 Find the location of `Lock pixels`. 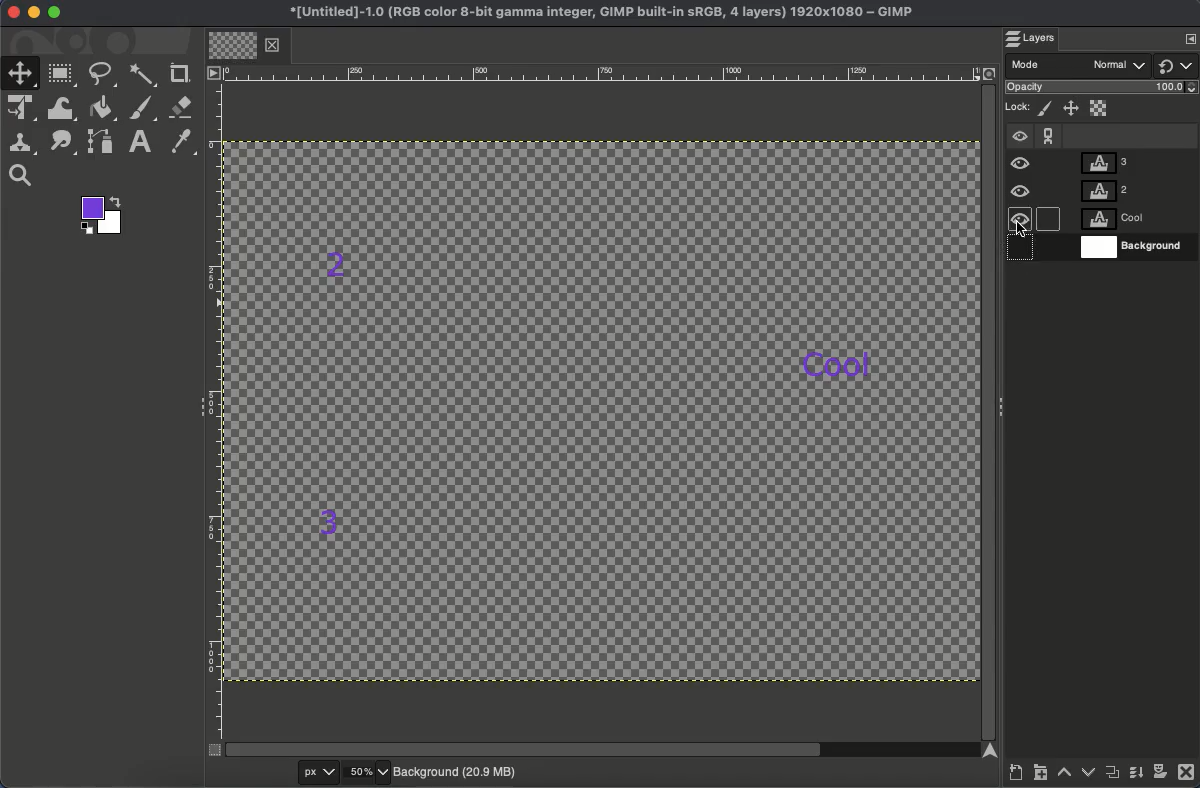

Lock pixels is located at coordinates (1047, 109).